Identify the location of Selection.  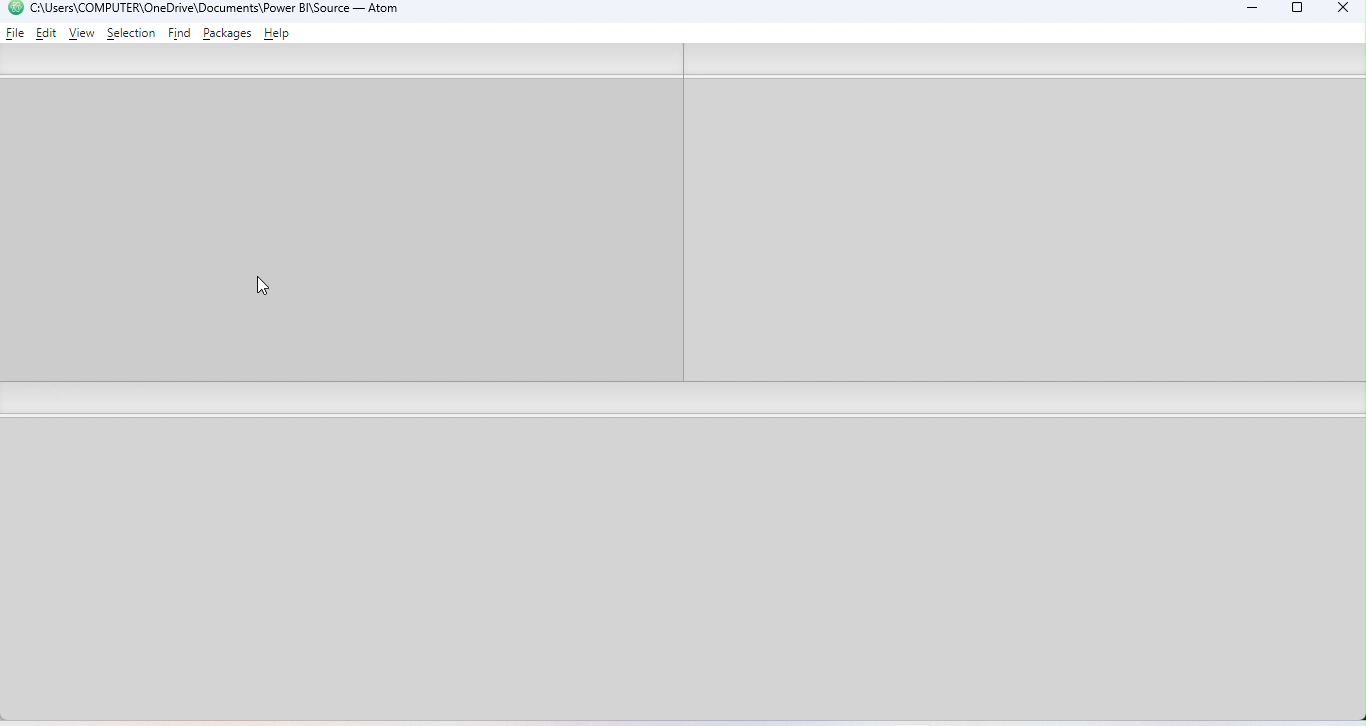
(131, 33).